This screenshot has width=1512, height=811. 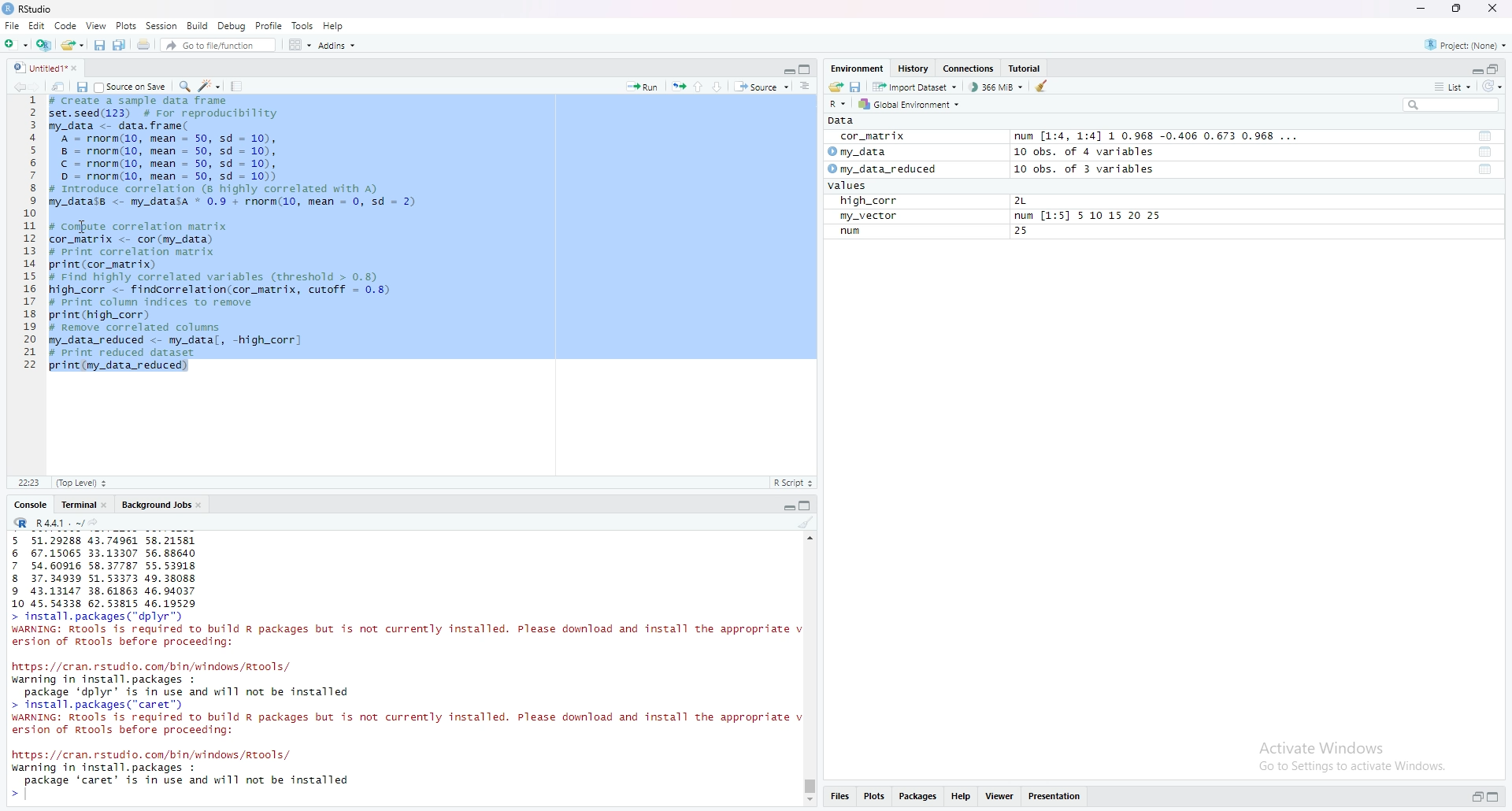 I want to click on Presentations, so click(x=1056, y=796).